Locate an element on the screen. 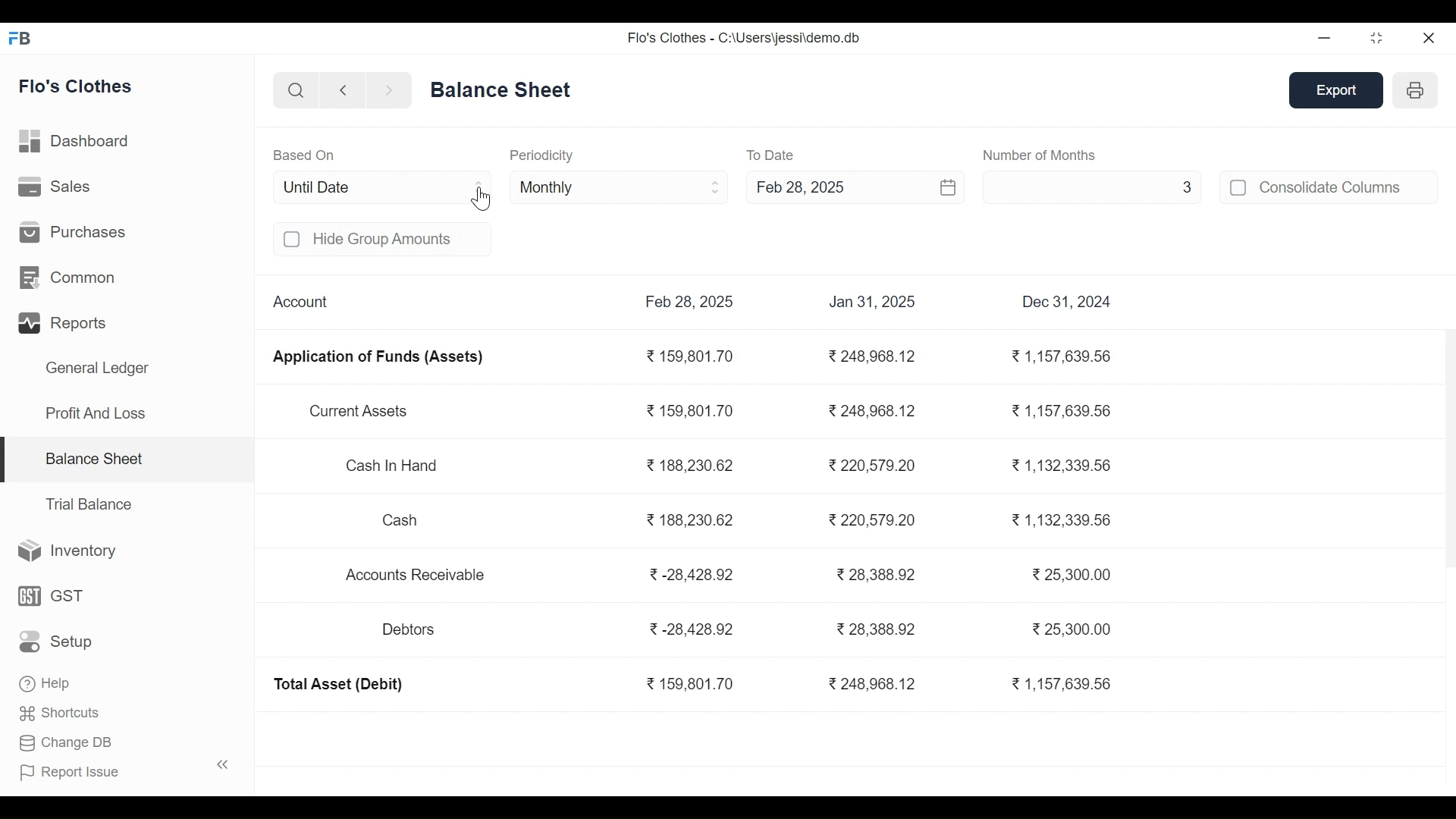 This screenshot has height=819, width=1456. dashboard is located at coordinates (77, 144).